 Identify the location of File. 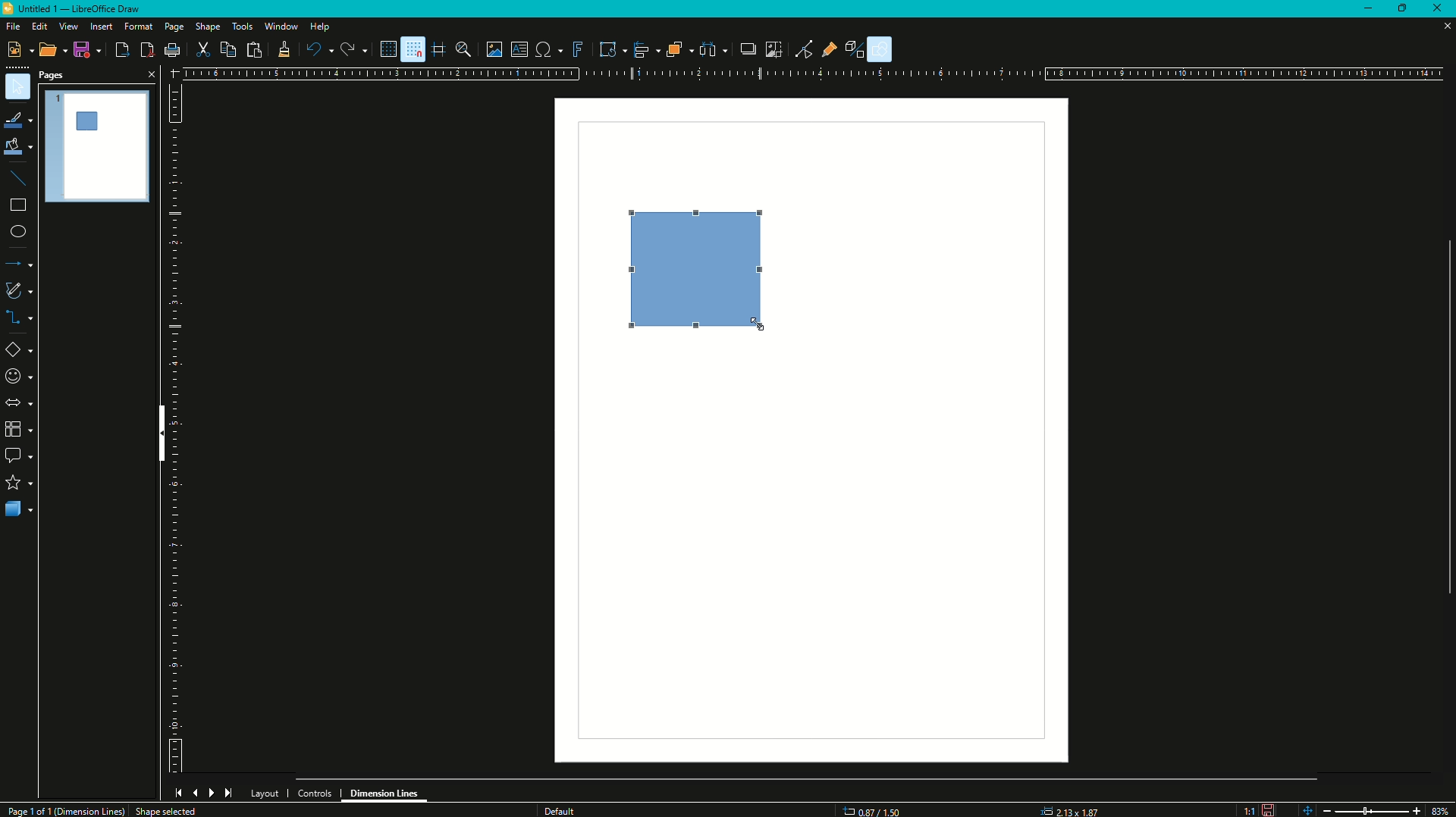
(12, 27).